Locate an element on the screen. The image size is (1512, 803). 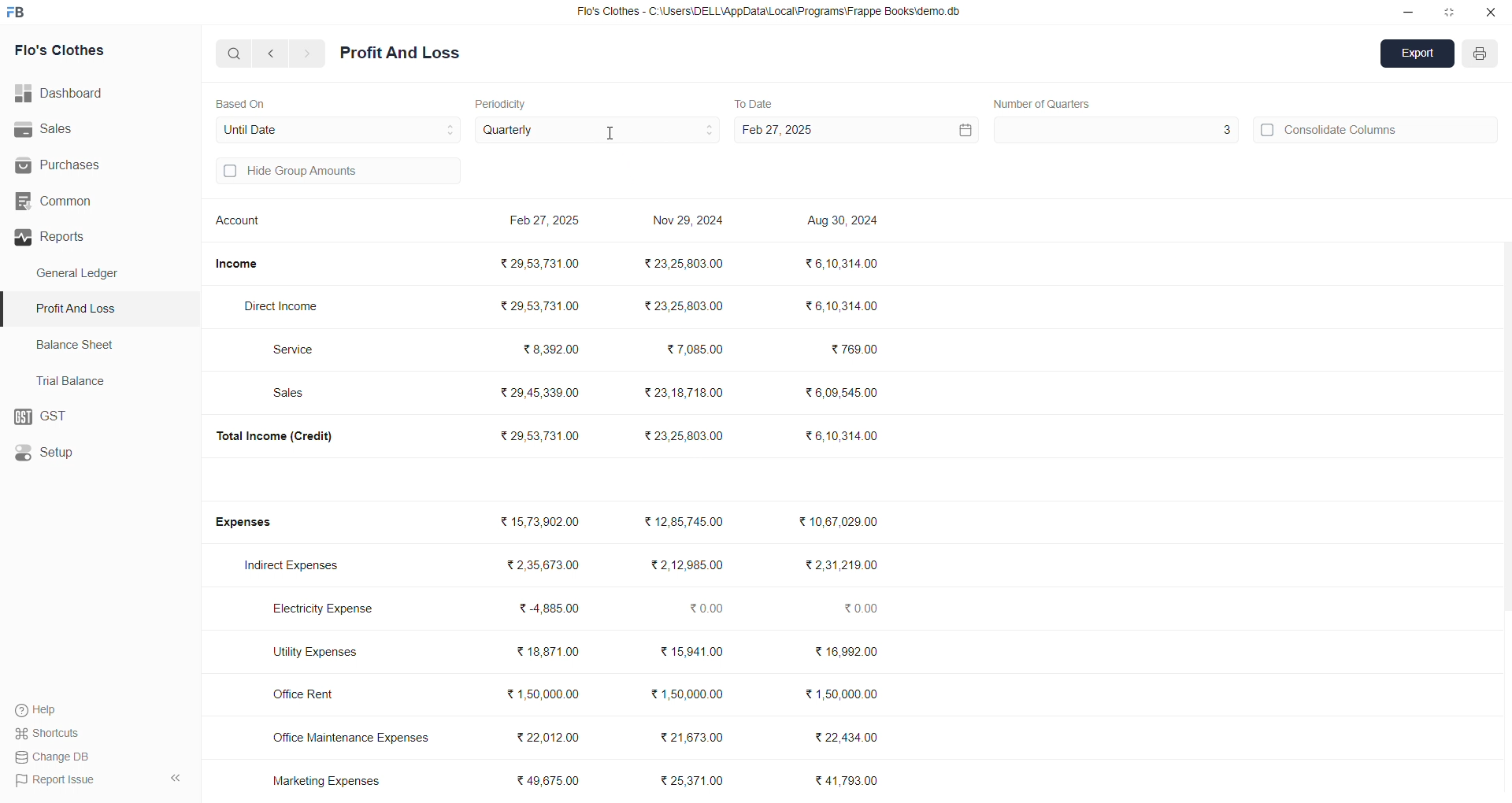
₹23,25803.00 is located at coordinates (686, 262).